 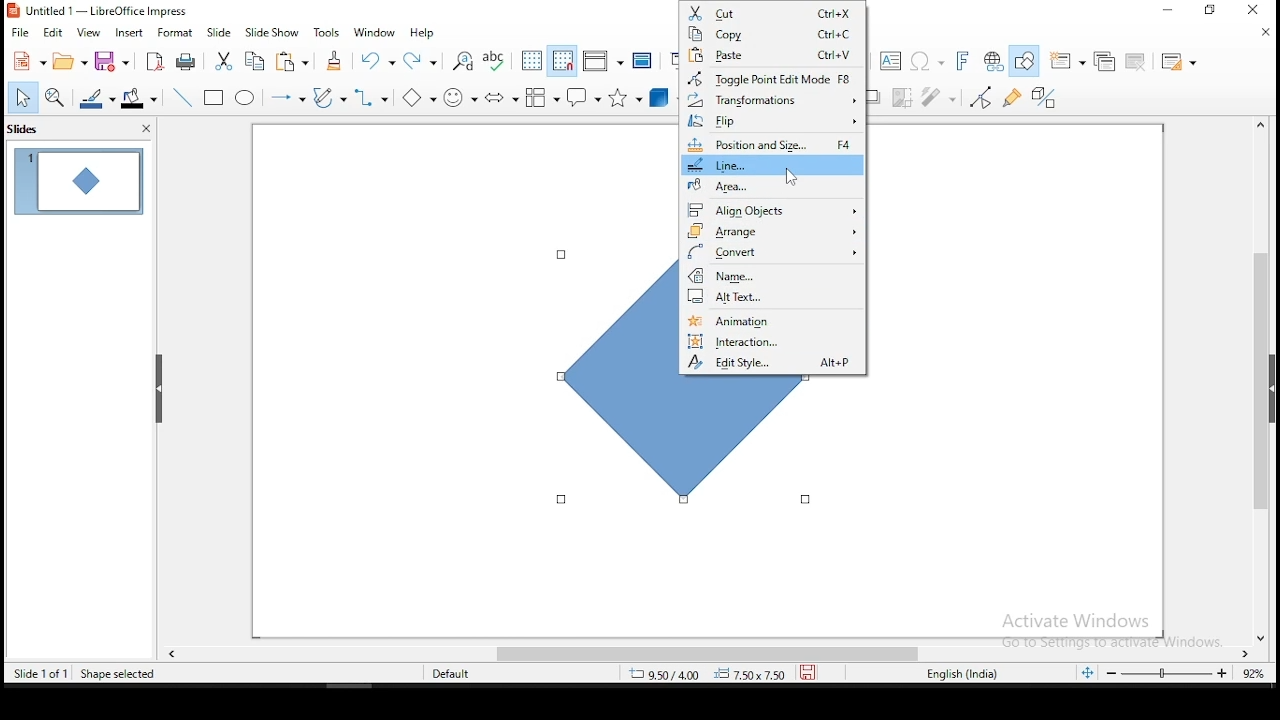 I want to click on select tool, so click(x=18, y=99).